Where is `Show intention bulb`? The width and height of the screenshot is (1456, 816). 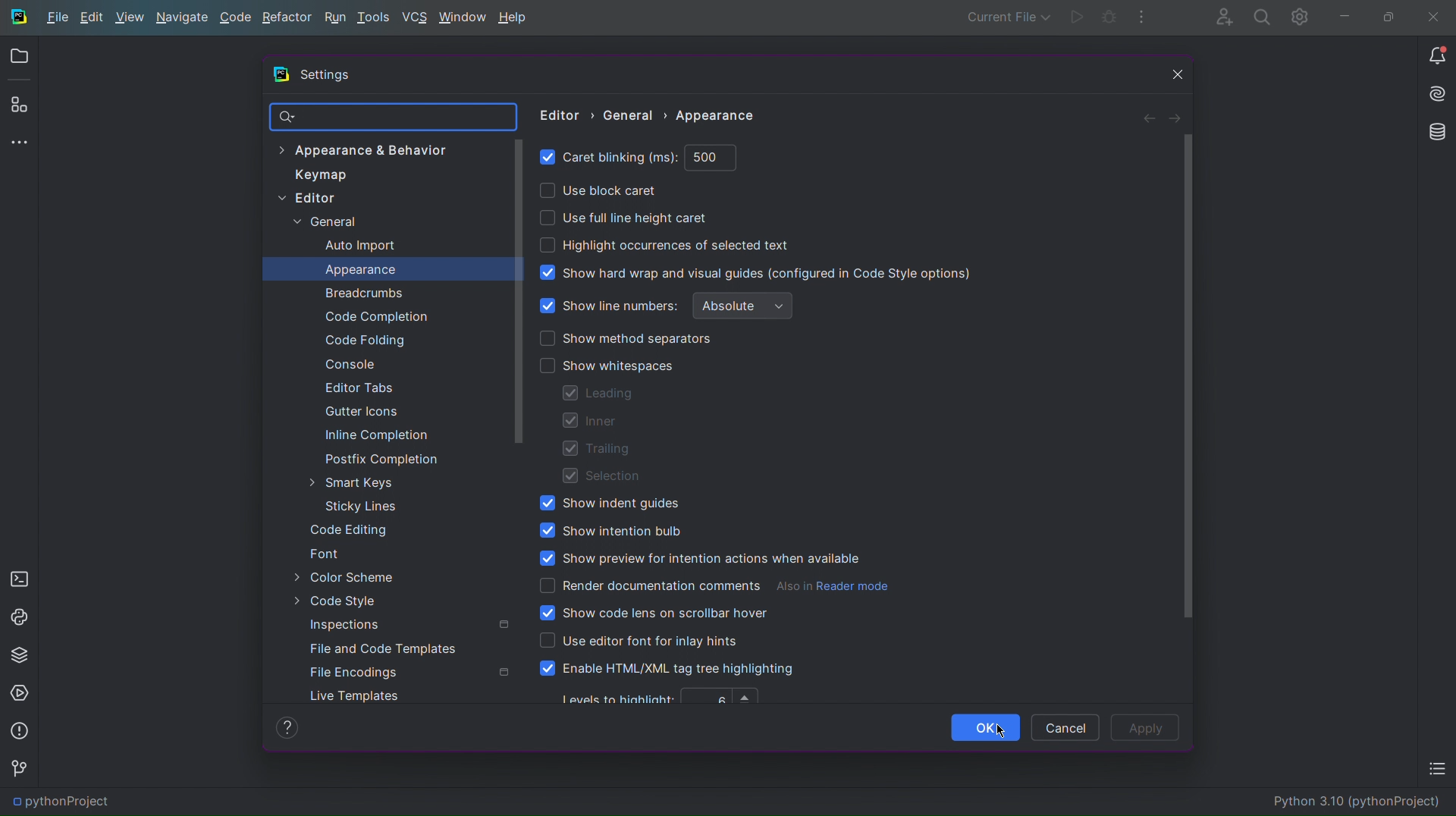
Show intention bulb is located at coordinates (611, 529).